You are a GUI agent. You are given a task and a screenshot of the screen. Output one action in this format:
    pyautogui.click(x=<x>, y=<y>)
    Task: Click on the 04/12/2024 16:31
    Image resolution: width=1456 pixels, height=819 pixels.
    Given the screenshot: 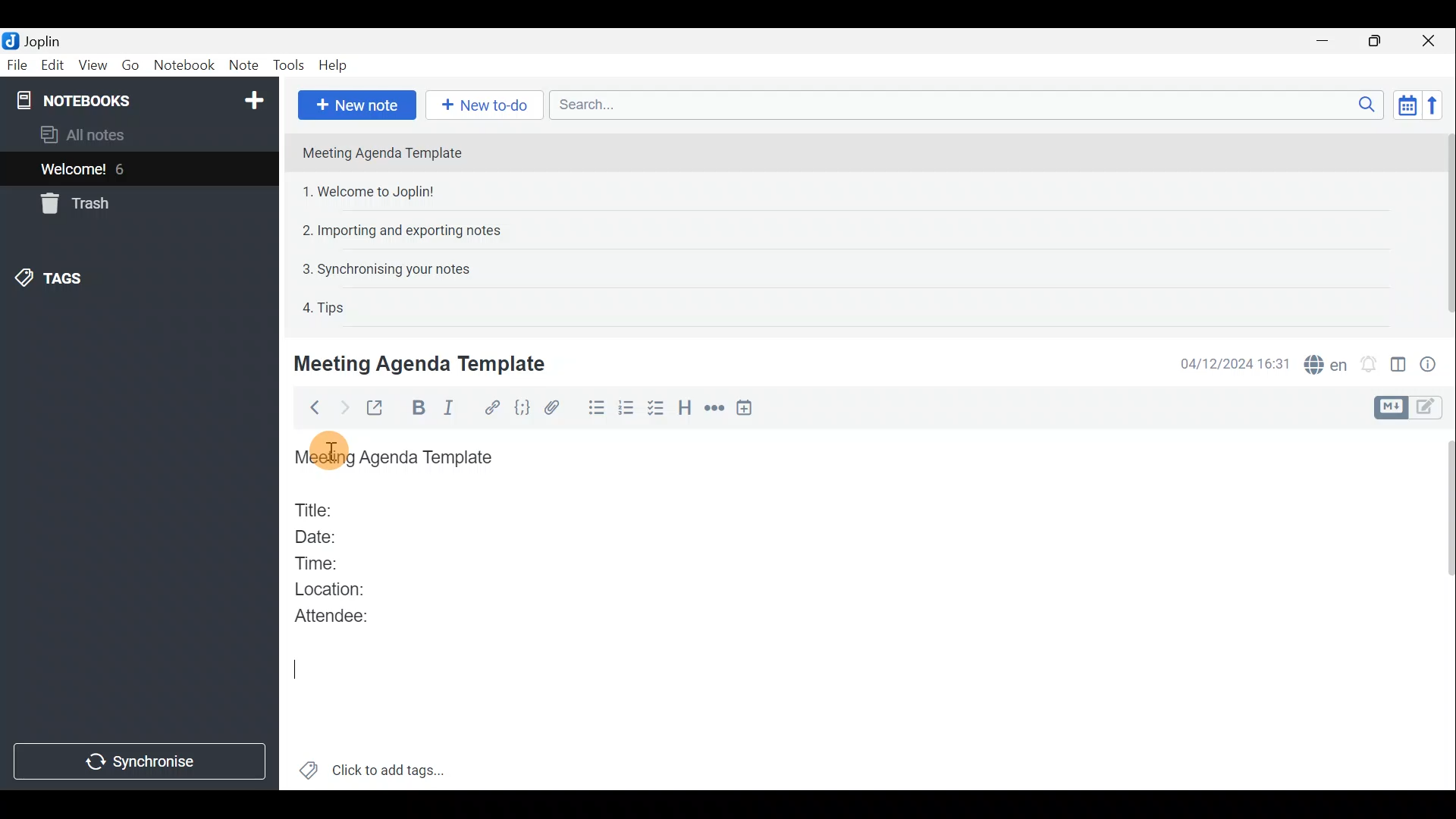 What is the action you would take?
    pyautogui.click(x=1228, y=362)
    